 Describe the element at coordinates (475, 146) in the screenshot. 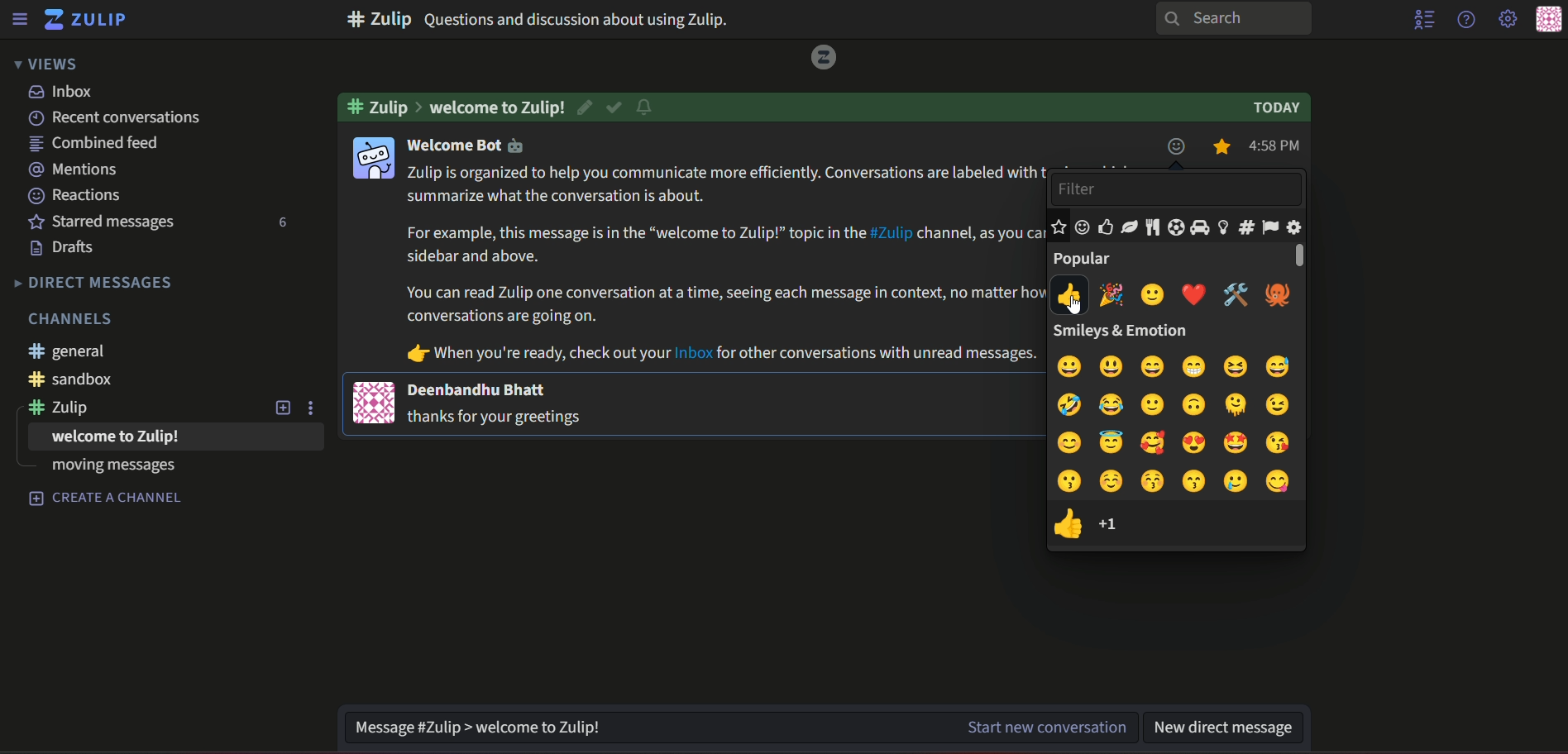

I see `text` at that location.